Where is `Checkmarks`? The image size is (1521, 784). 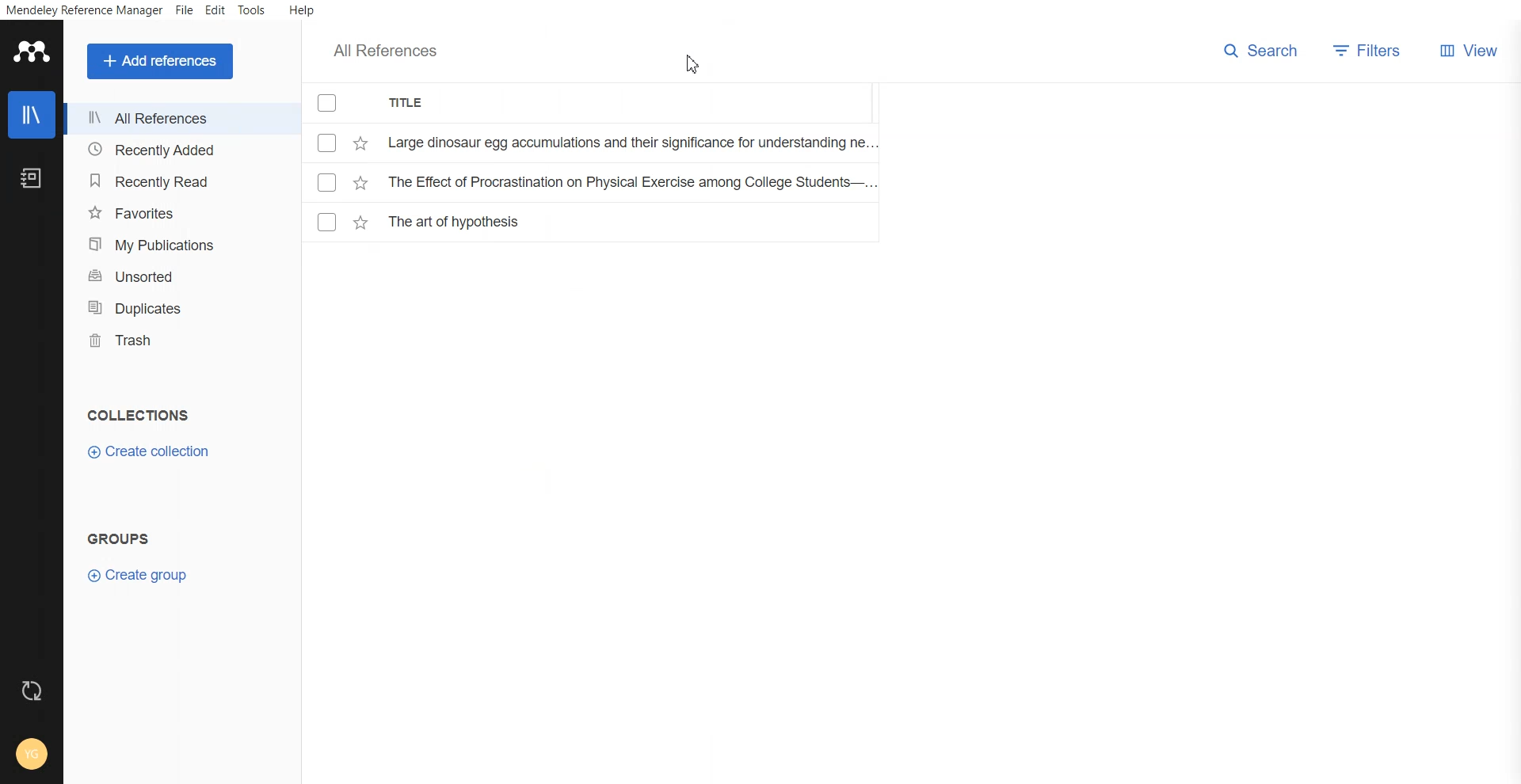 Checkmarks is located at coordinates (326, 103).